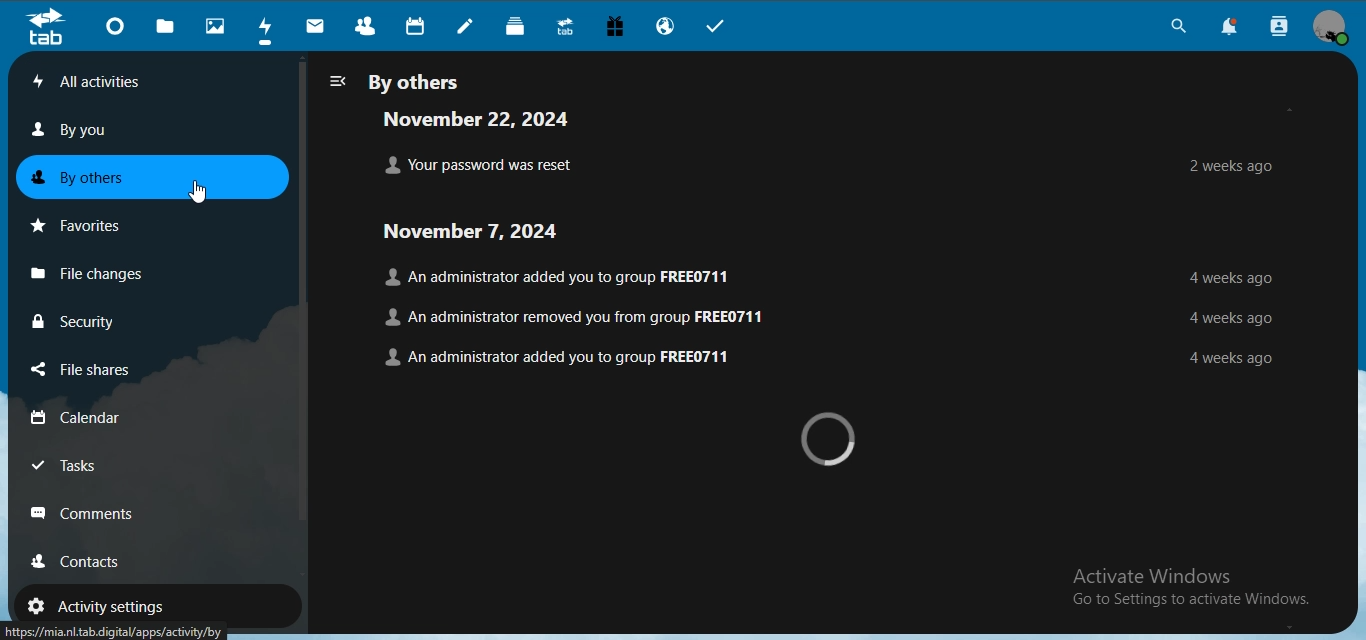 The image size is (1366, 640). I want to click on Activate Windows
Go to Settings to activate Windows., so click(1191, 582).